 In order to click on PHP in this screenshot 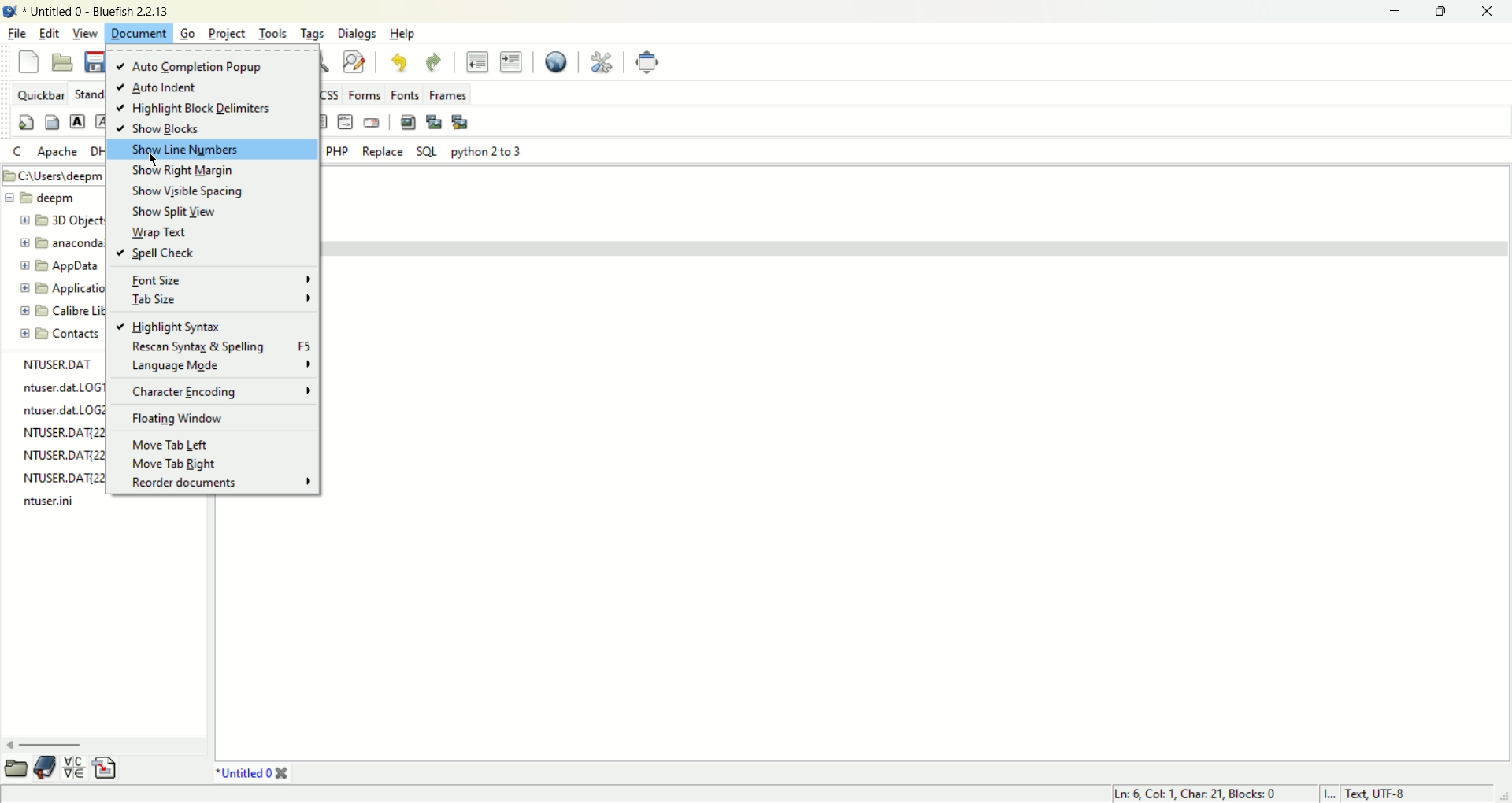, I will do `click(336, 153)`.